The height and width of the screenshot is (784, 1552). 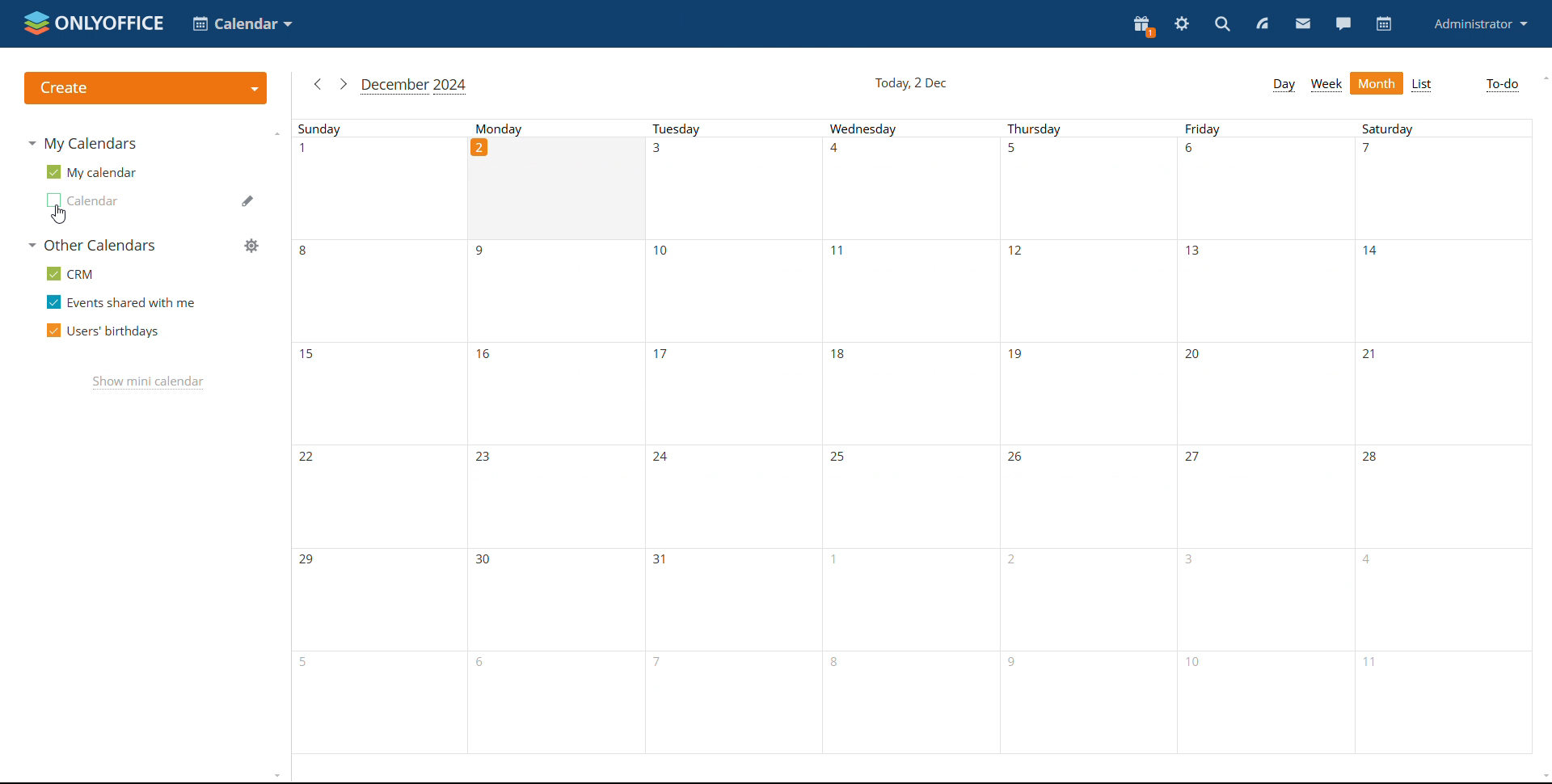 I want to click on scroll up, so click(x=1542, y=78).